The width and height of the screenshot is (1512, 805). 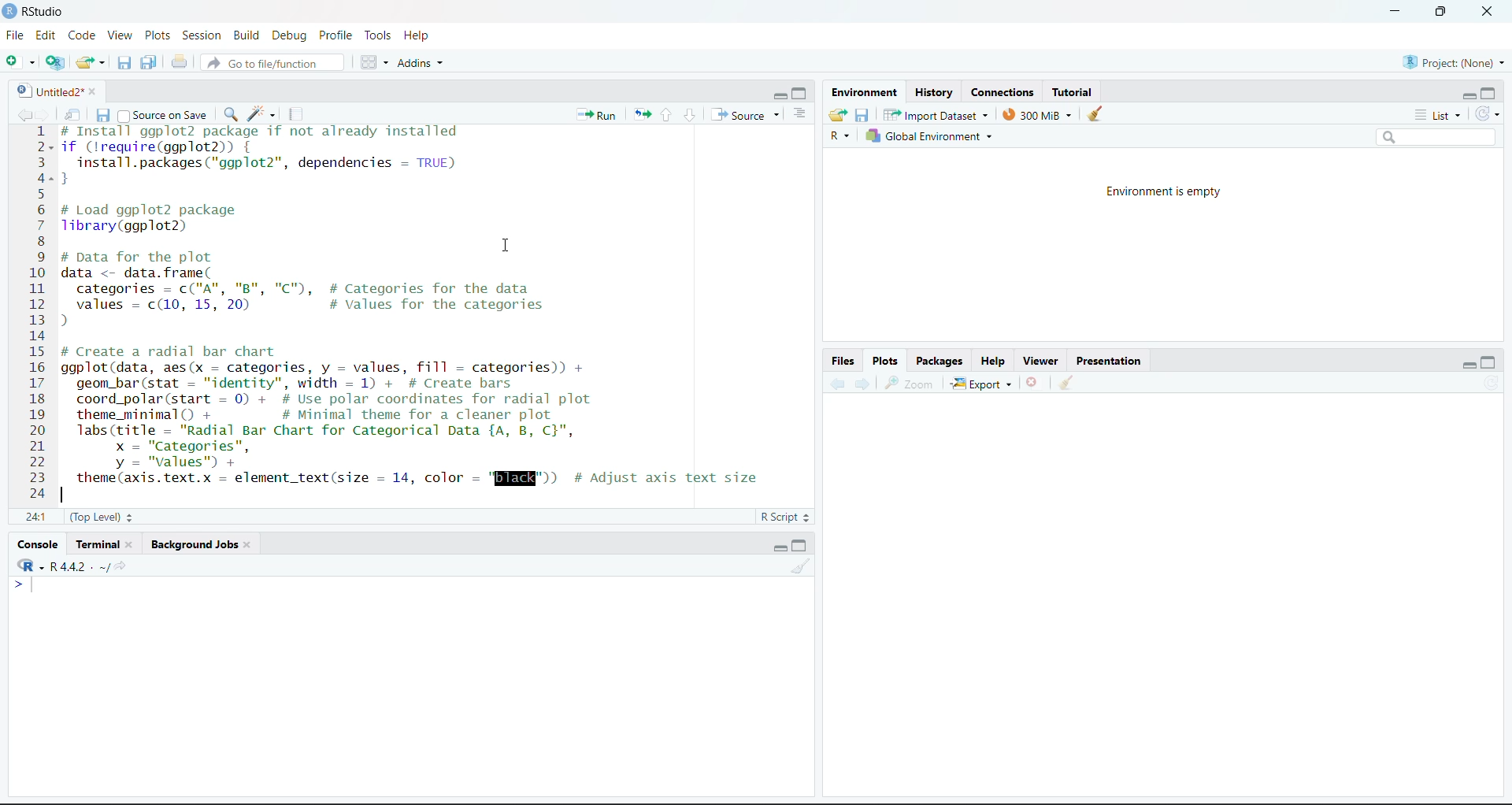 What do you see at coordinates (45, 37) in the screenshot?
I see `Edit` at bounding box center [45, 37].